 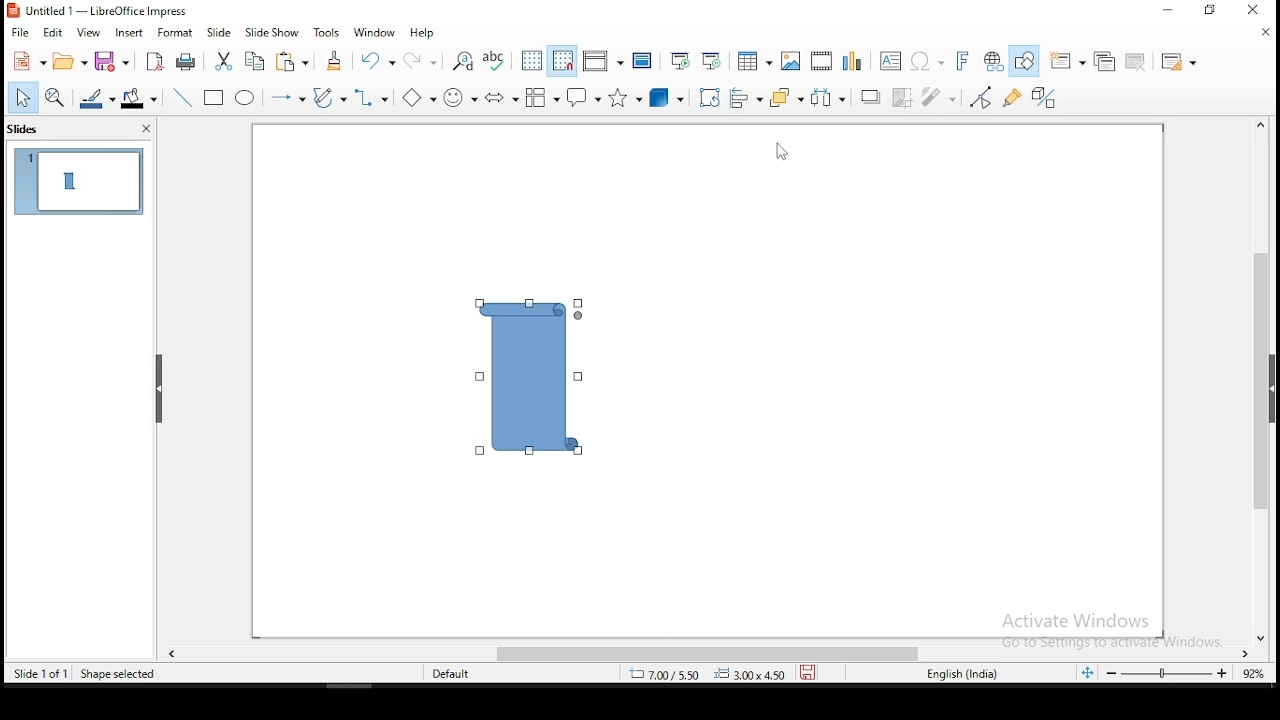 I want to click on window, so click(x=375, y=32).